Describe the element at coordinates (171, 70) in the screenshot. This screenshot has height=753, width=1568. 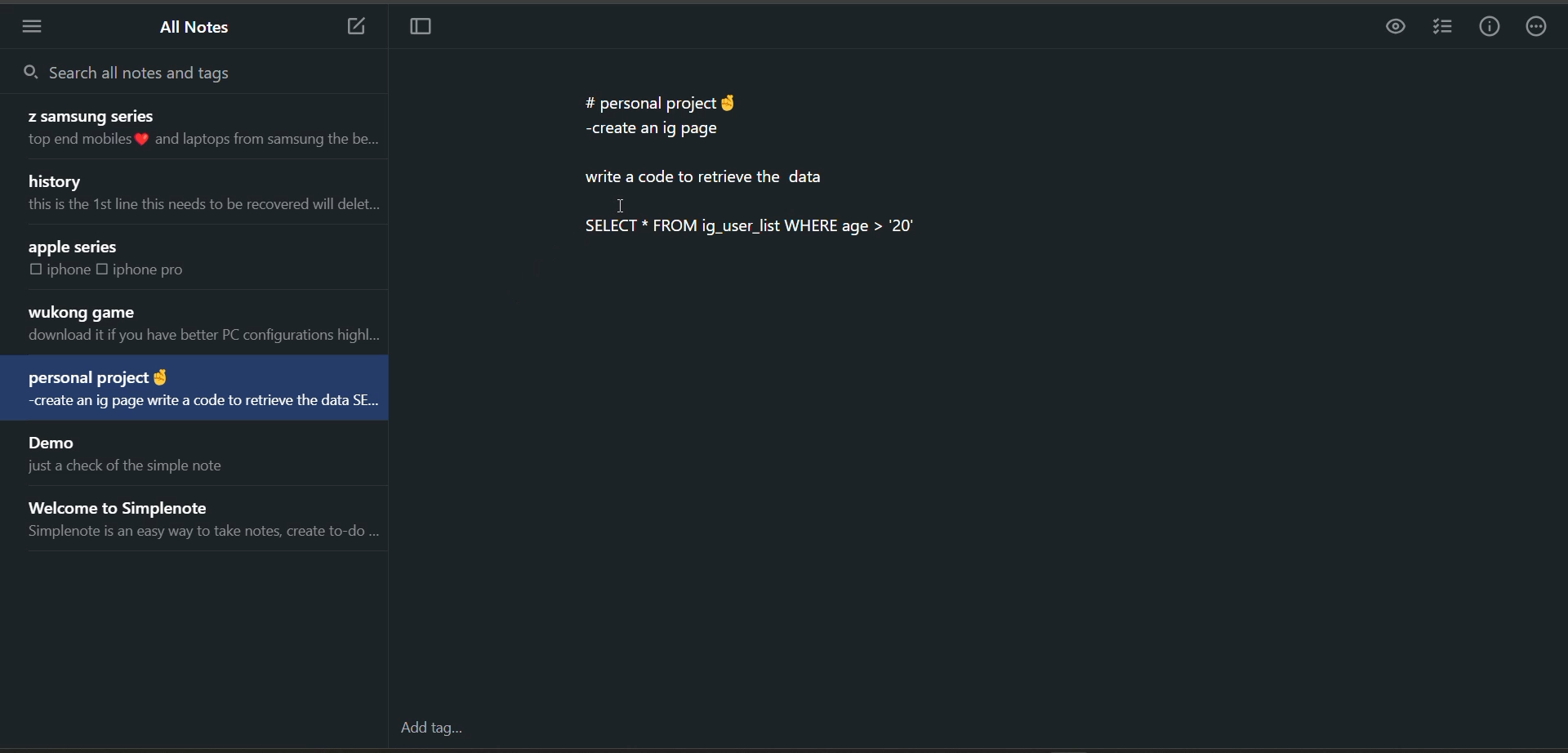
I see `search all notes and tags` at that location.